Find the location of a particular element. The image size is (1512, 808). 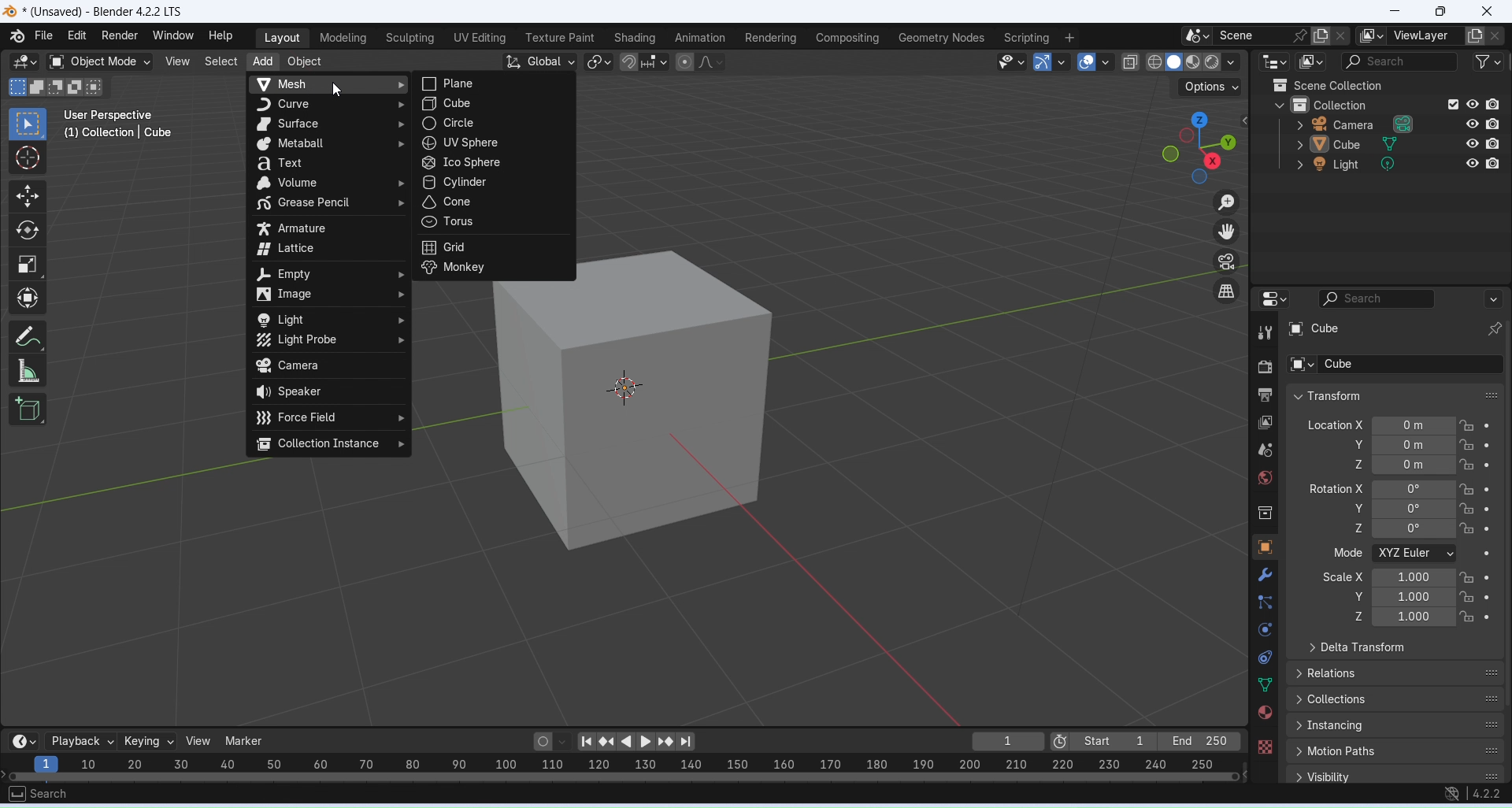

Scripting is located at coordinates (1027, 38).